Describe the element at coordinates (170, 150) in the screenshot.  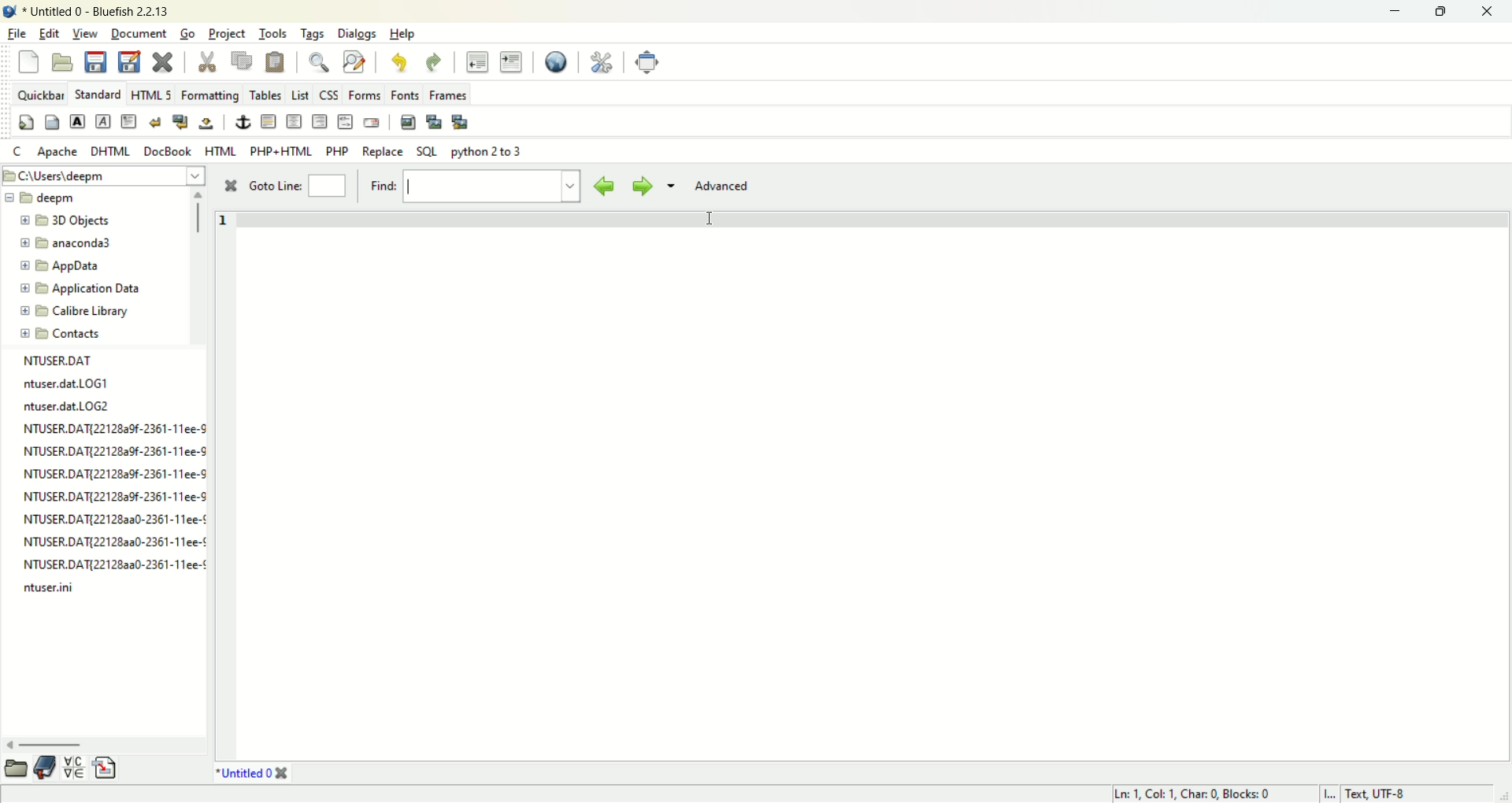
I see `docbook` at that location.